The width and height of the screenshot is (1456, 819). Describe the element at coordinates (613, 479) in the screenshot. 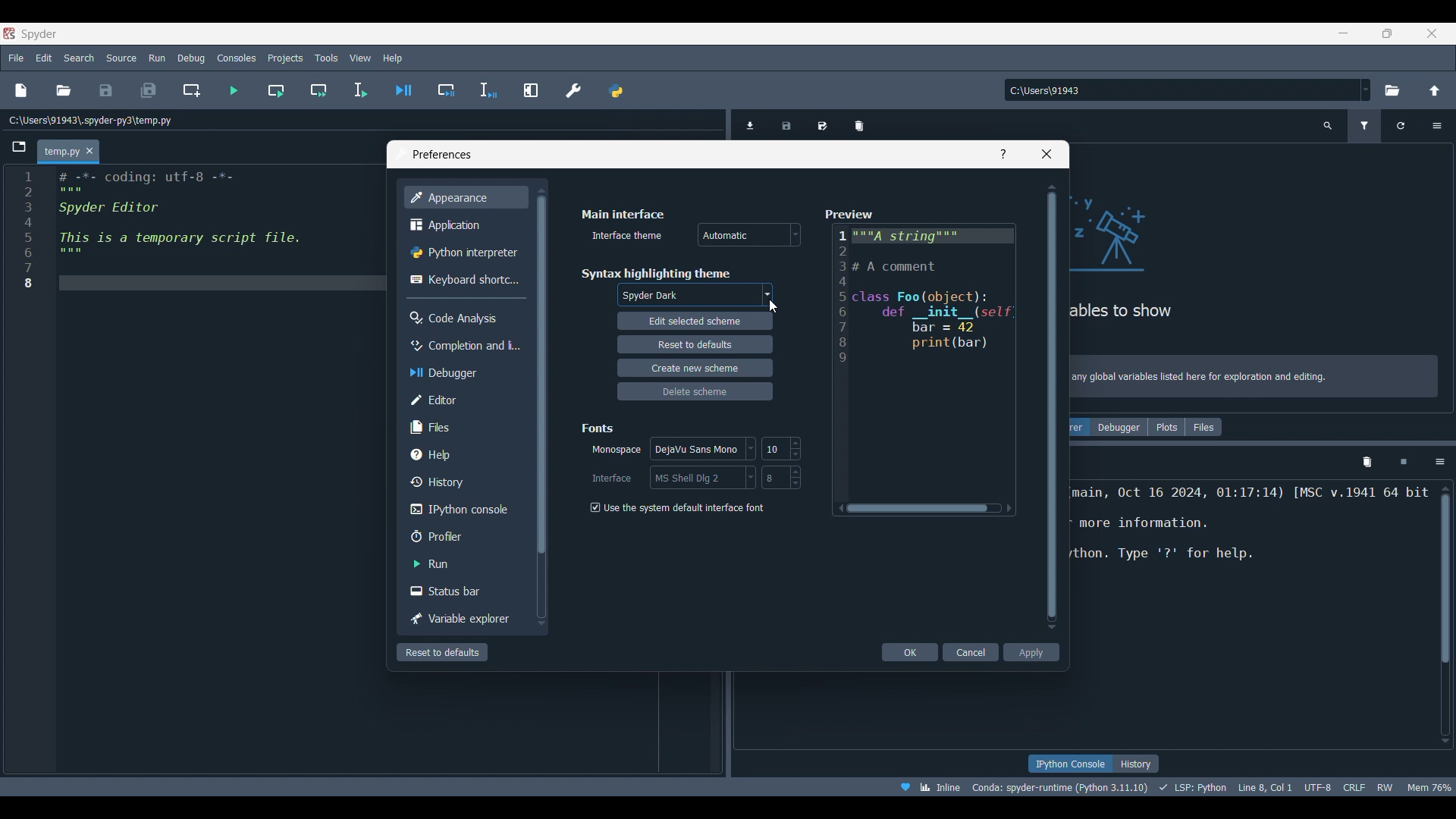

I see `Indicates interface settings` at that location.